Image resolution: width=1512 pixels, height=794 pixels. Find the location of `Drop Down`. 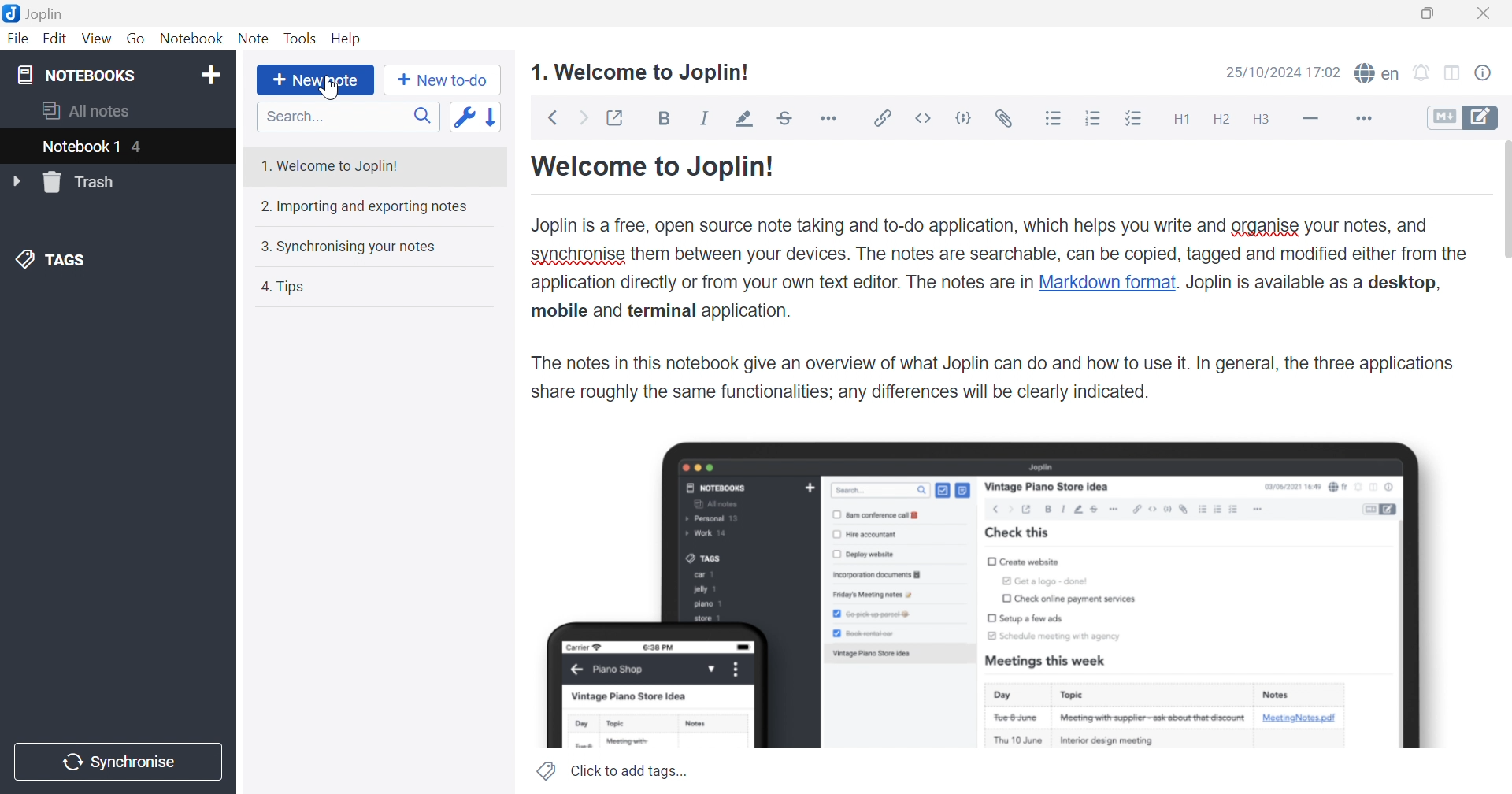

Drop Down is located at coordinates (16, 180).